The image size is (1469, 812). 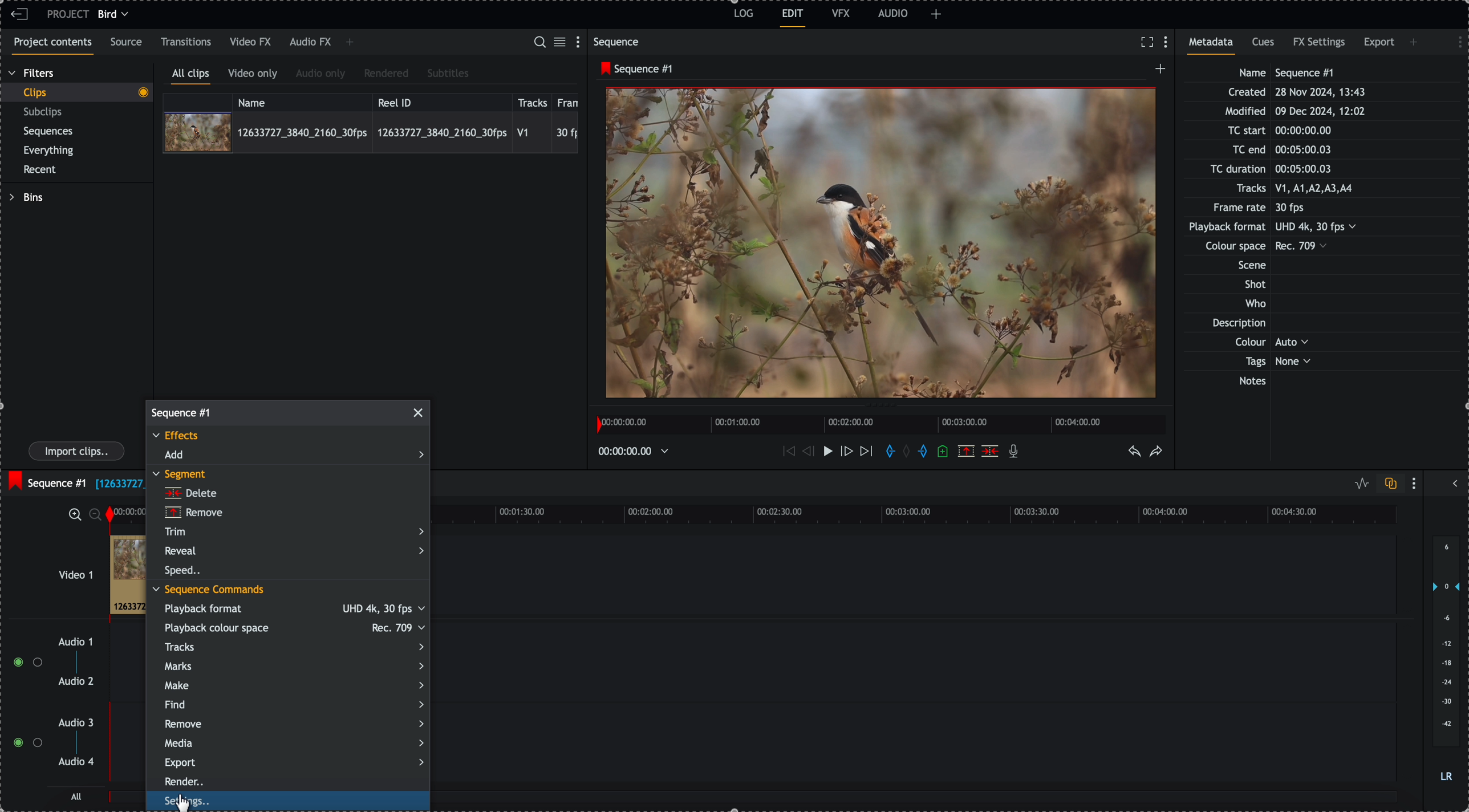 I want to click on add a cue at the current position, so click(x=944, y=452).